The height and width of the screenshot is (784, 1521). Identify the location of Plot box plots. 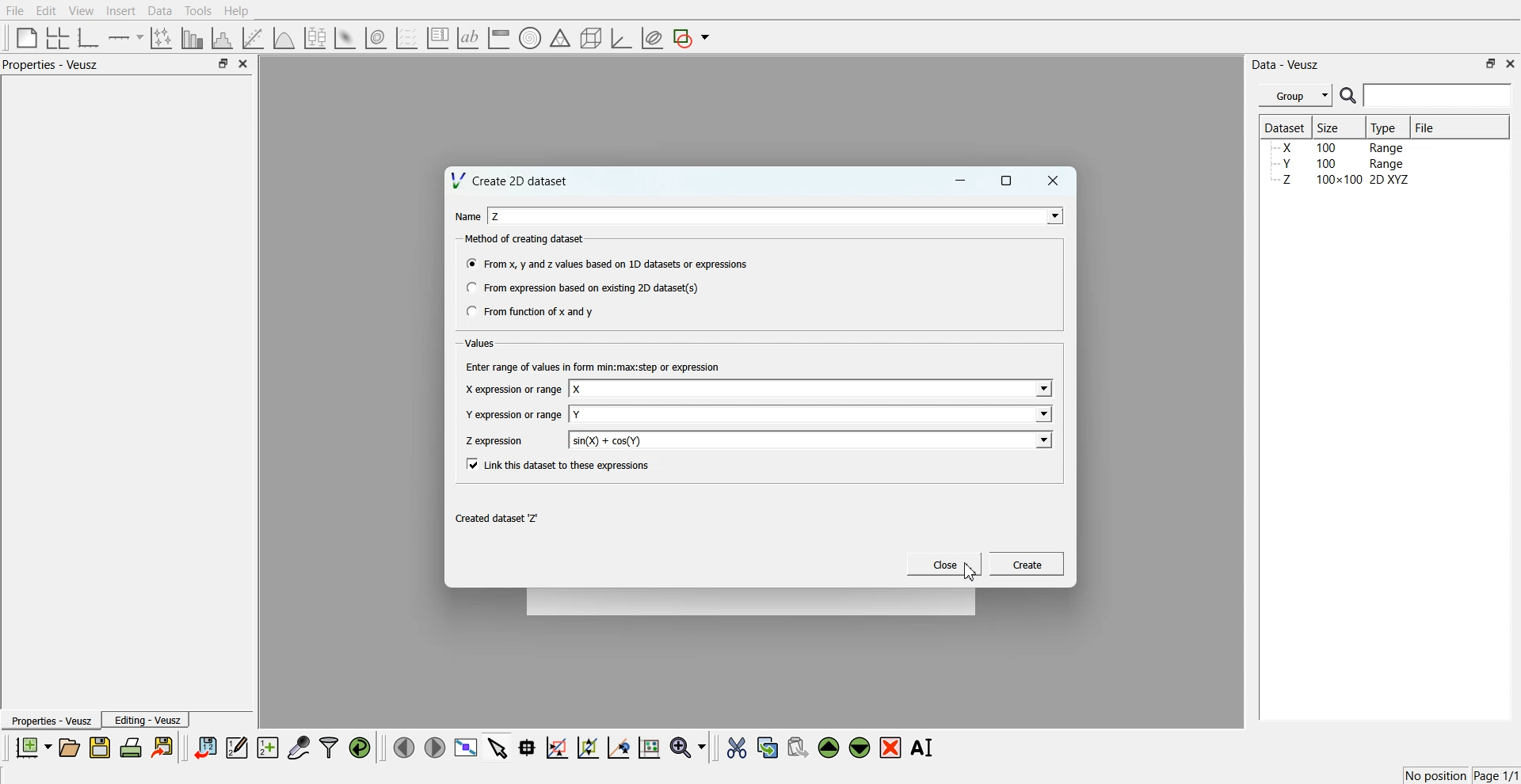
(315, 38).